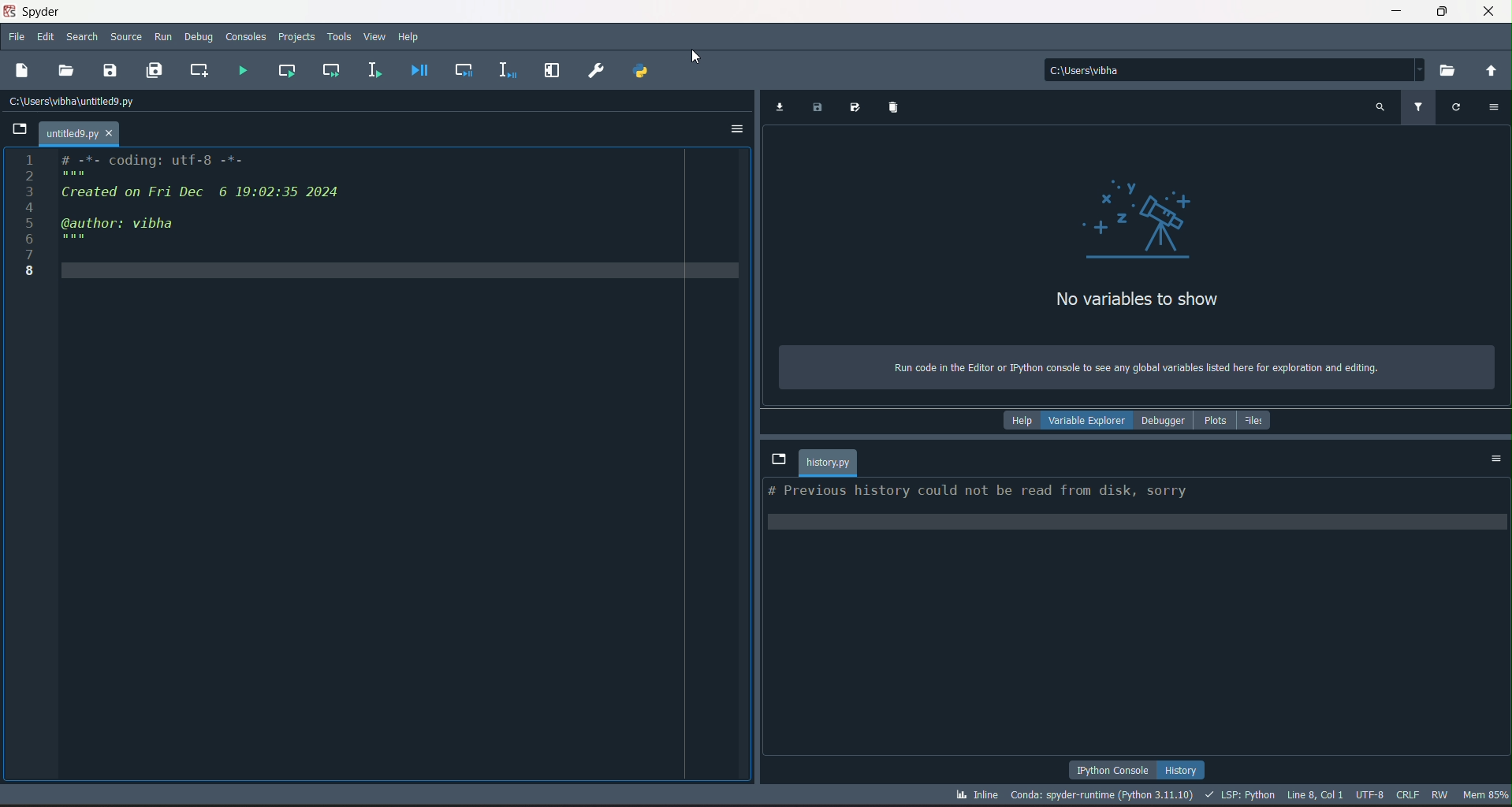 Image resolution: width=1512 pixels, height=807 pixels. Describe the element at coordinates (245, 38) in the screenshot. I see `consoles` at that location.